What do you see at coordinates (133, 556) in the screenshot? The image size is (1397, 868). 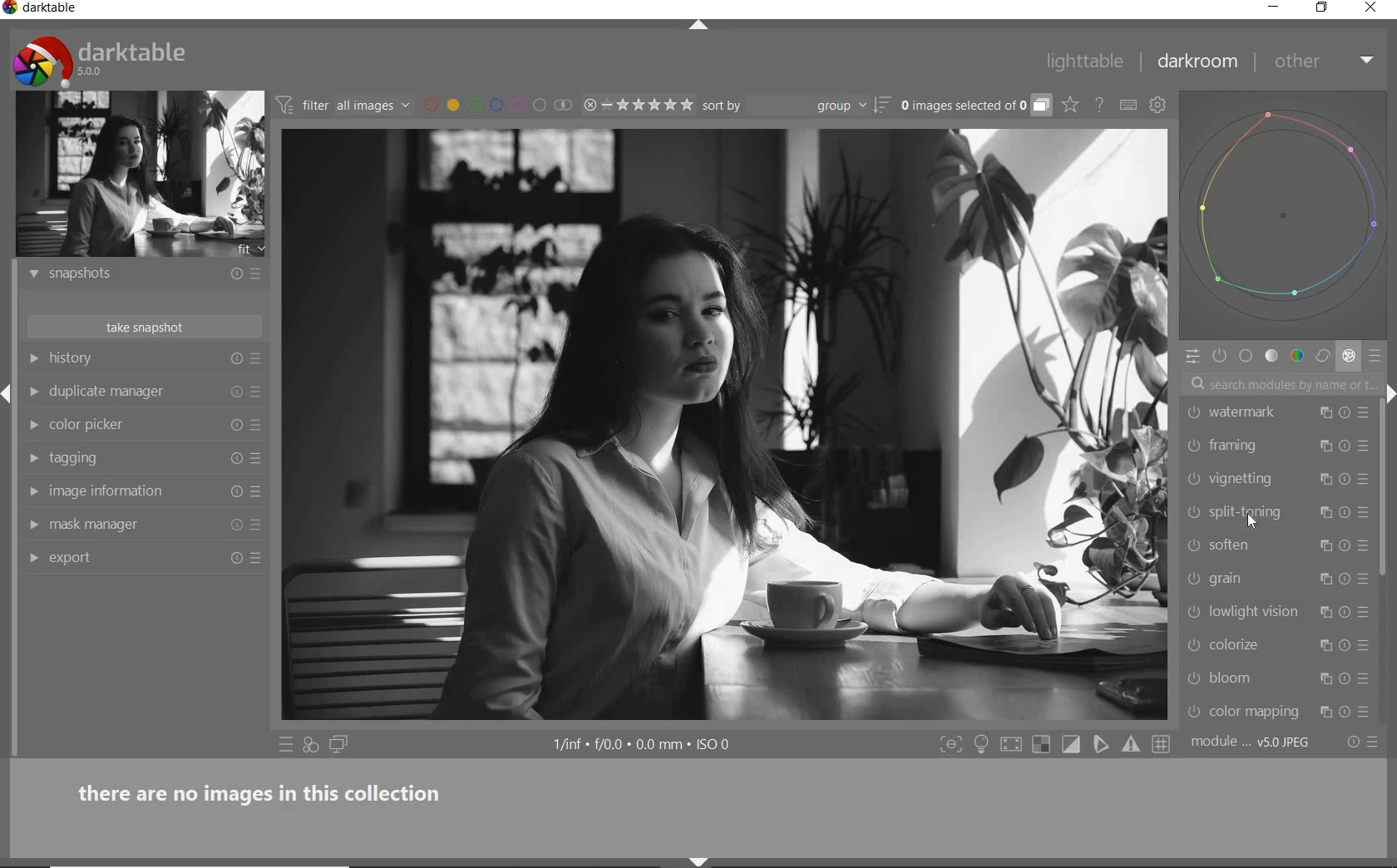 I see `export` at bounding box center [133, 556].